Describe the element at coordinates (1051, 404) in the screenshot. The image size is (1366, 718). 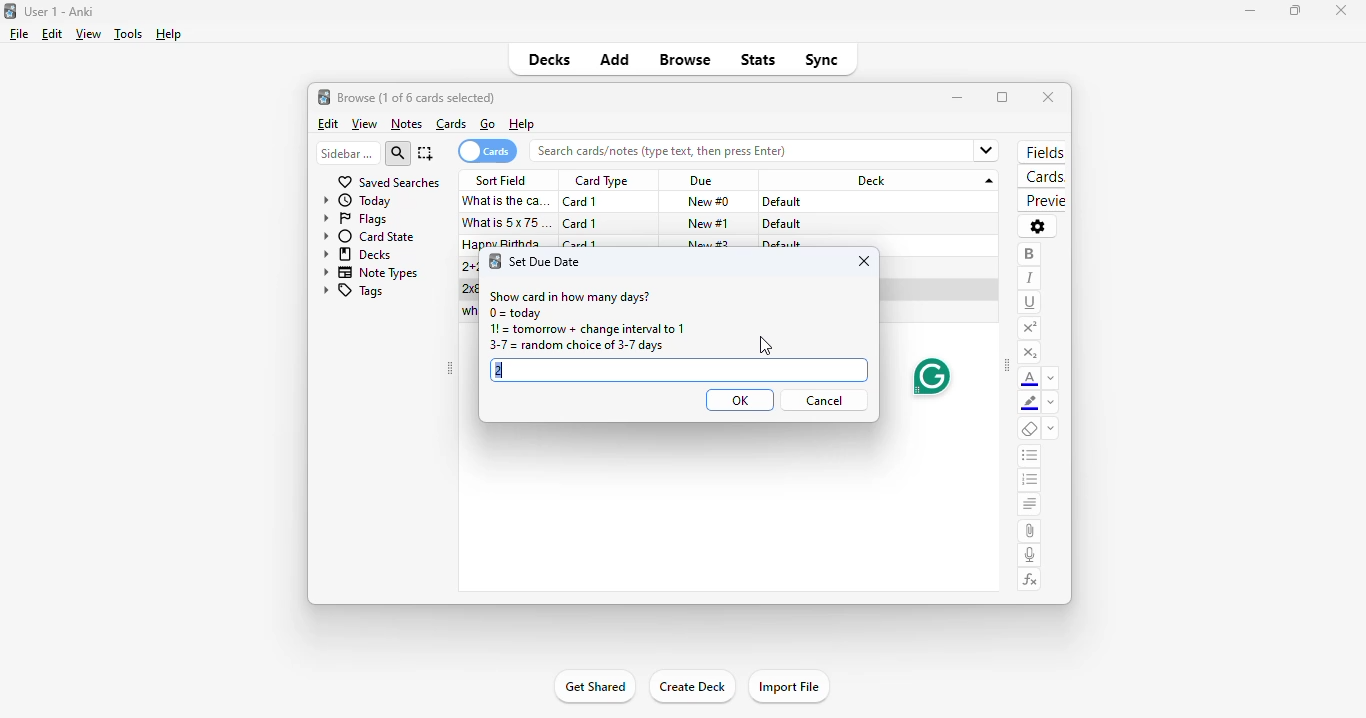
I see `change color` at that location.